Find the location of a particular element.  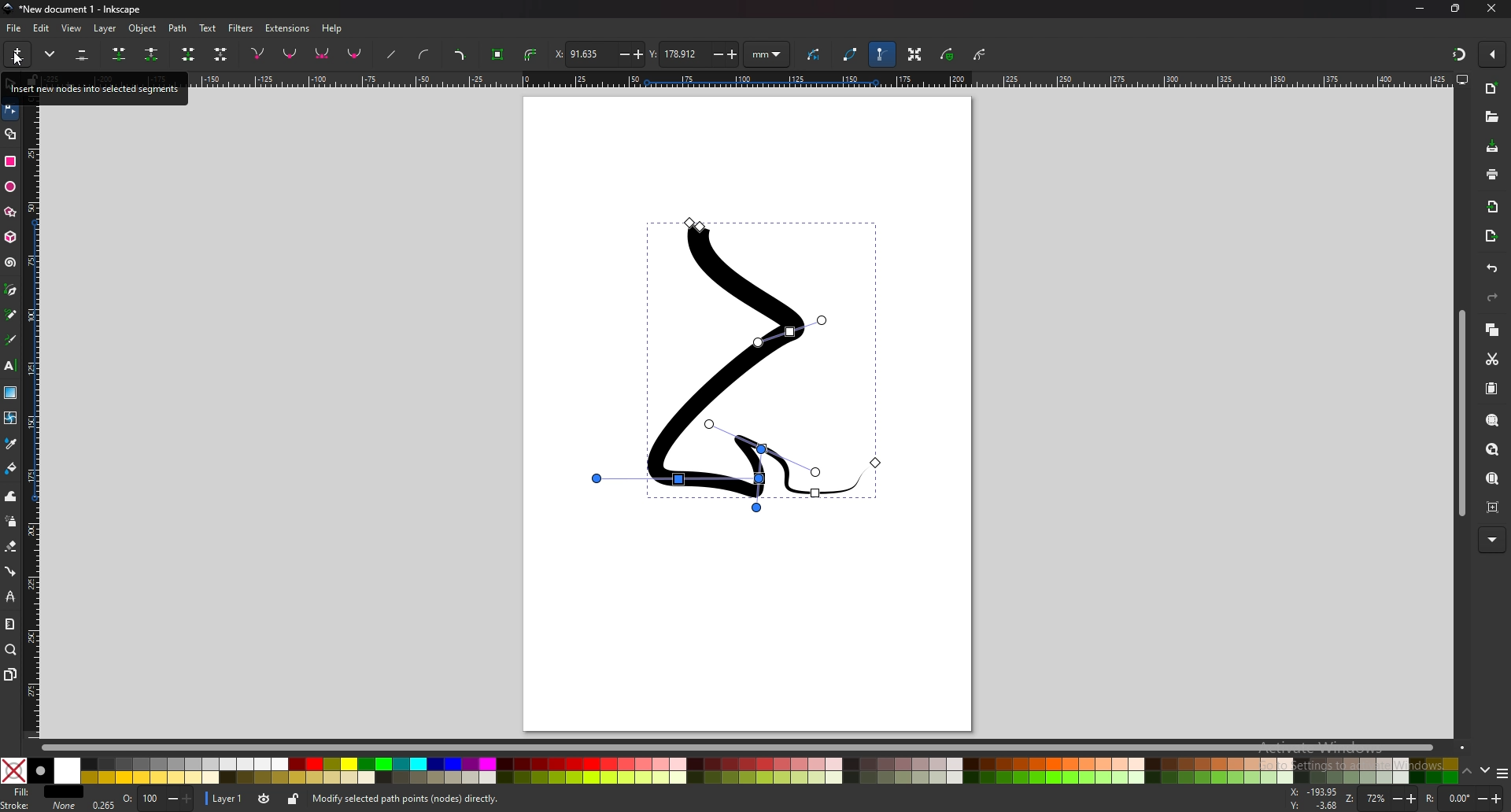

shape builder is located at coordinates (12, 134).